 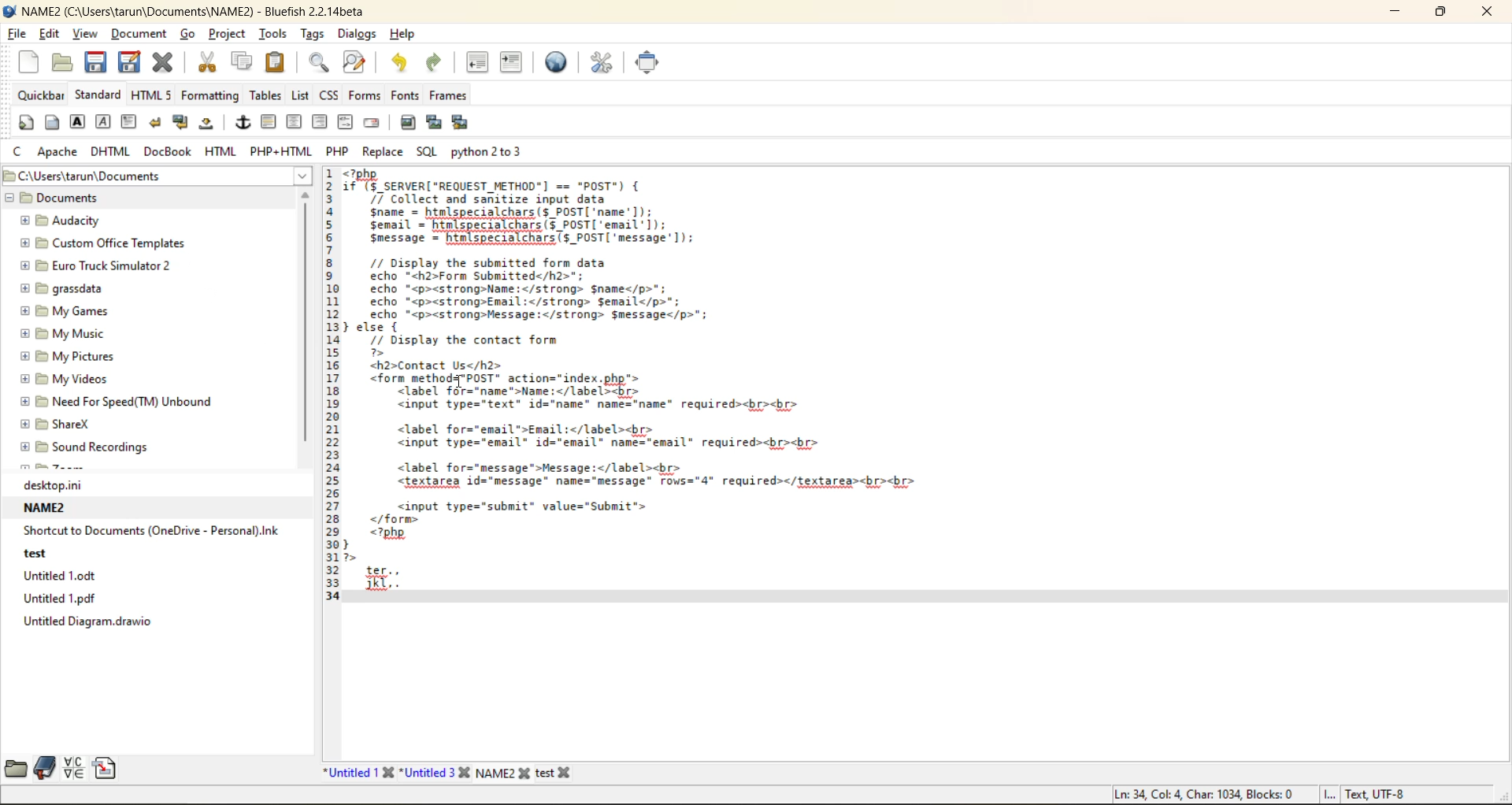 I want to click on undo, so click(x=402, y=64).